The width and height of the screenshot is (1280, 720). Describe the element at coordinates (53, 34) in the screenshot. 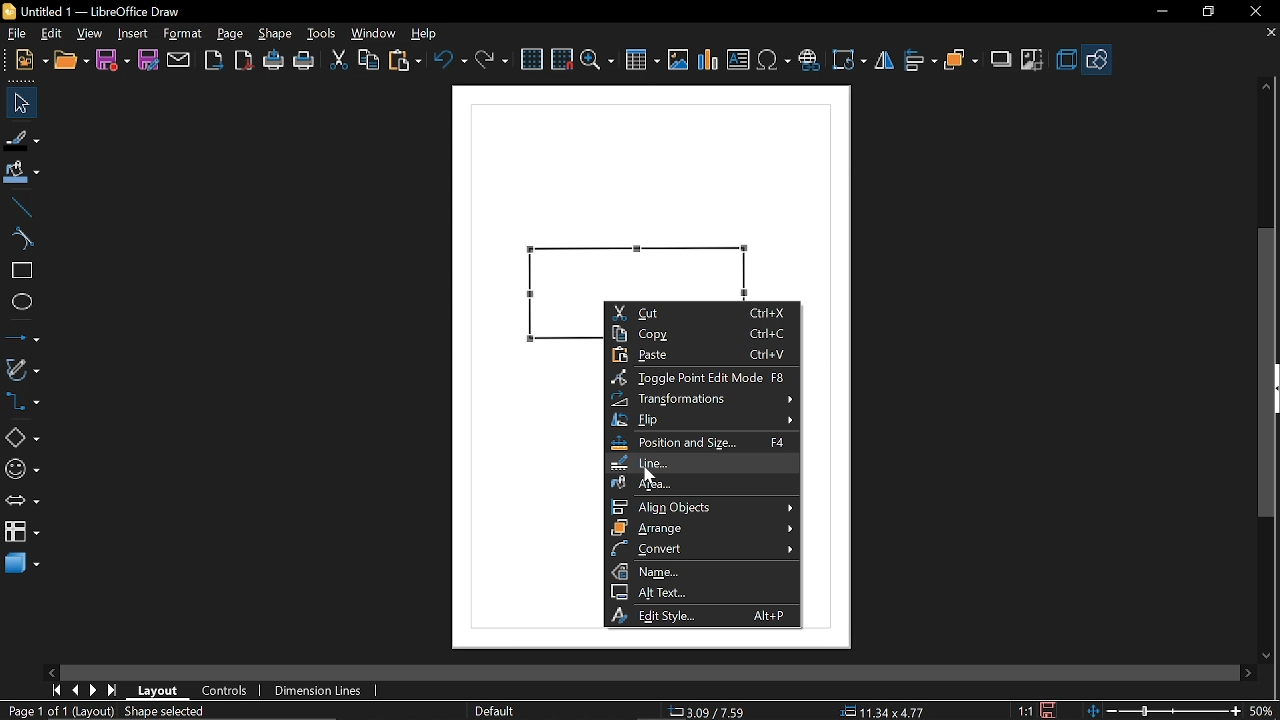

I see `edit` at that location.